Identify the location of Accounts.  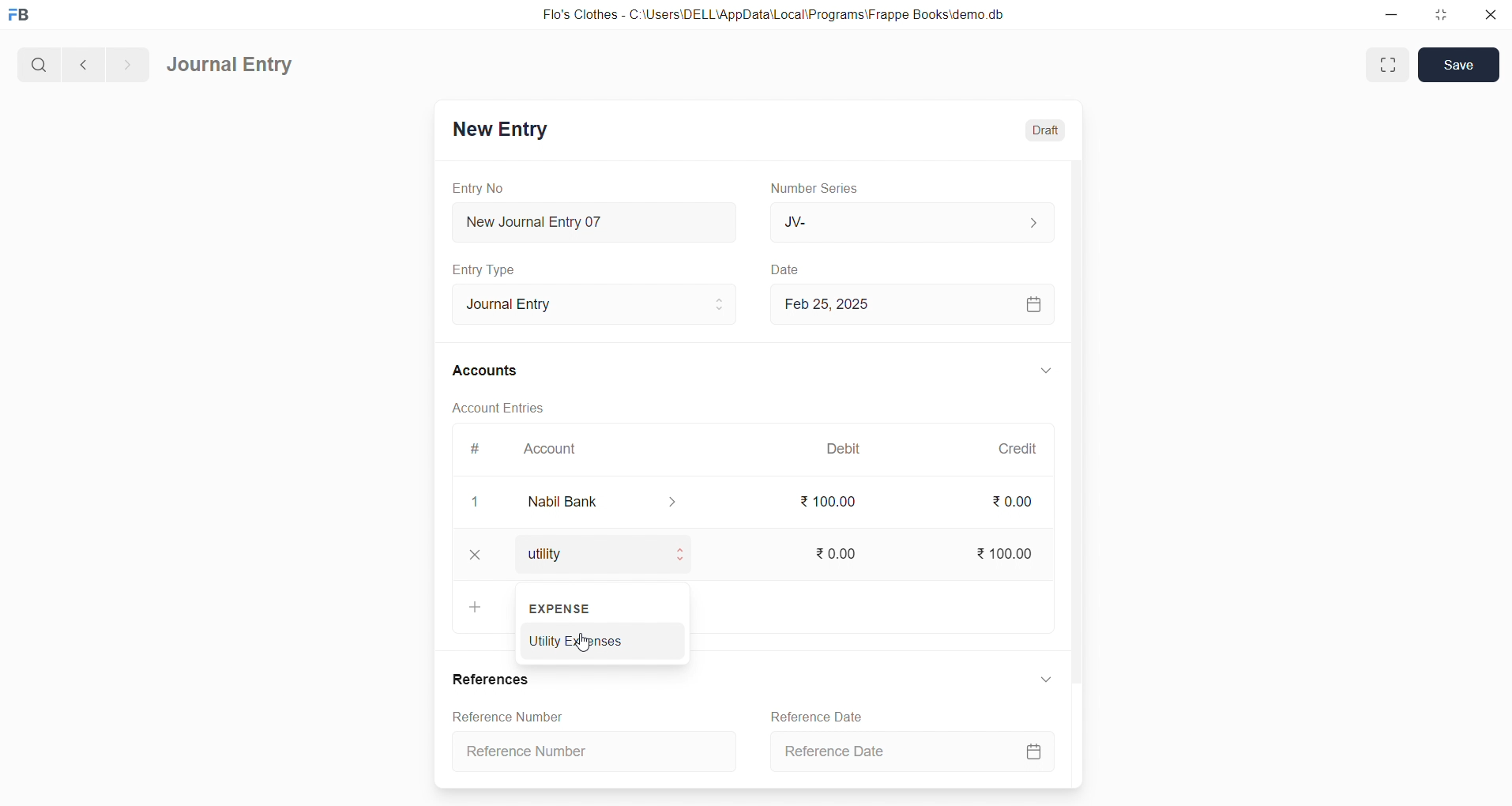
(486, 372).